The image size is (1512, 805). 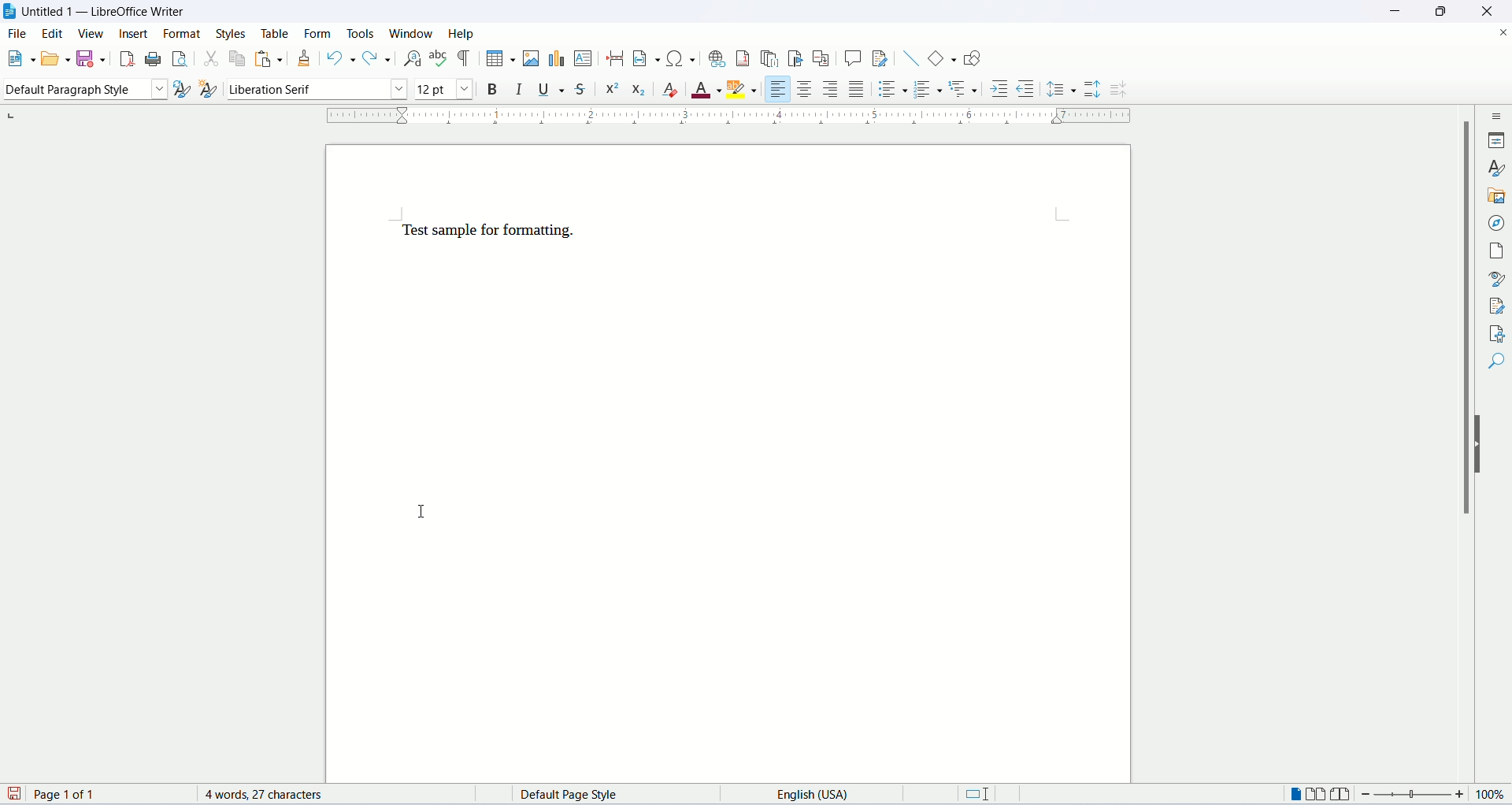 What do you see at coordinates (92, 59) in the screenshot?
I see `save` at bounding box center [92, 59].